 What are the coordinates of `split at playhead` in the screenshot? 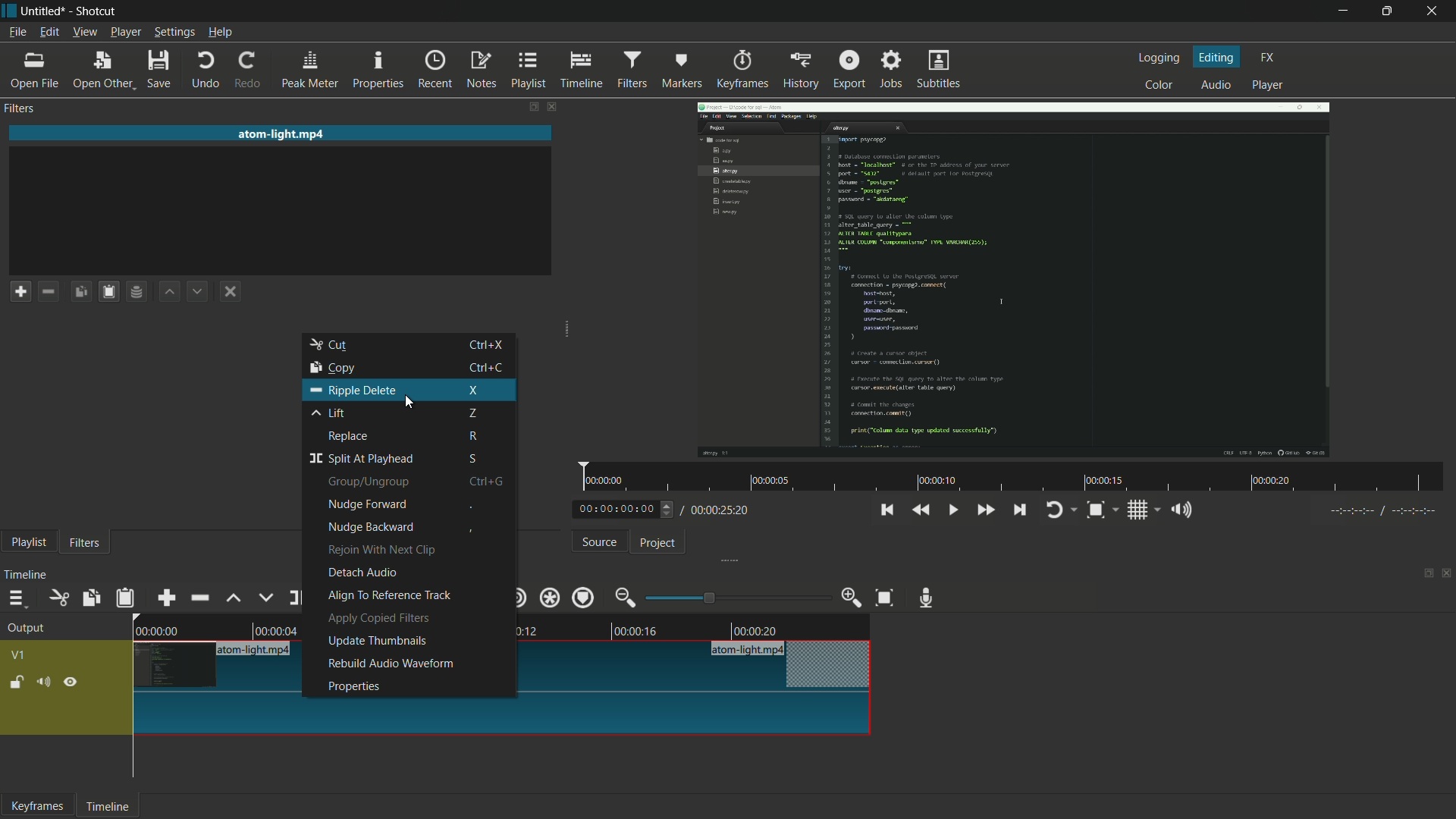 It's located at (300, 598).